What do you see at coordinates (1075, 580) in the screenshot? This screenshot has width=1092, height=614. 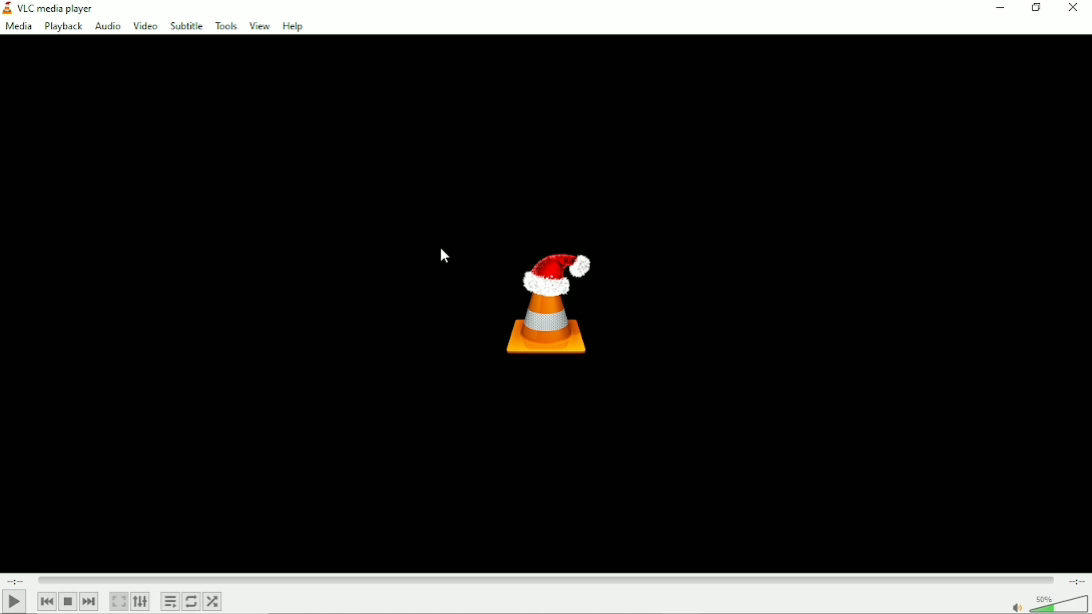 I see `Total duration` at bounding box center [1075, 580].